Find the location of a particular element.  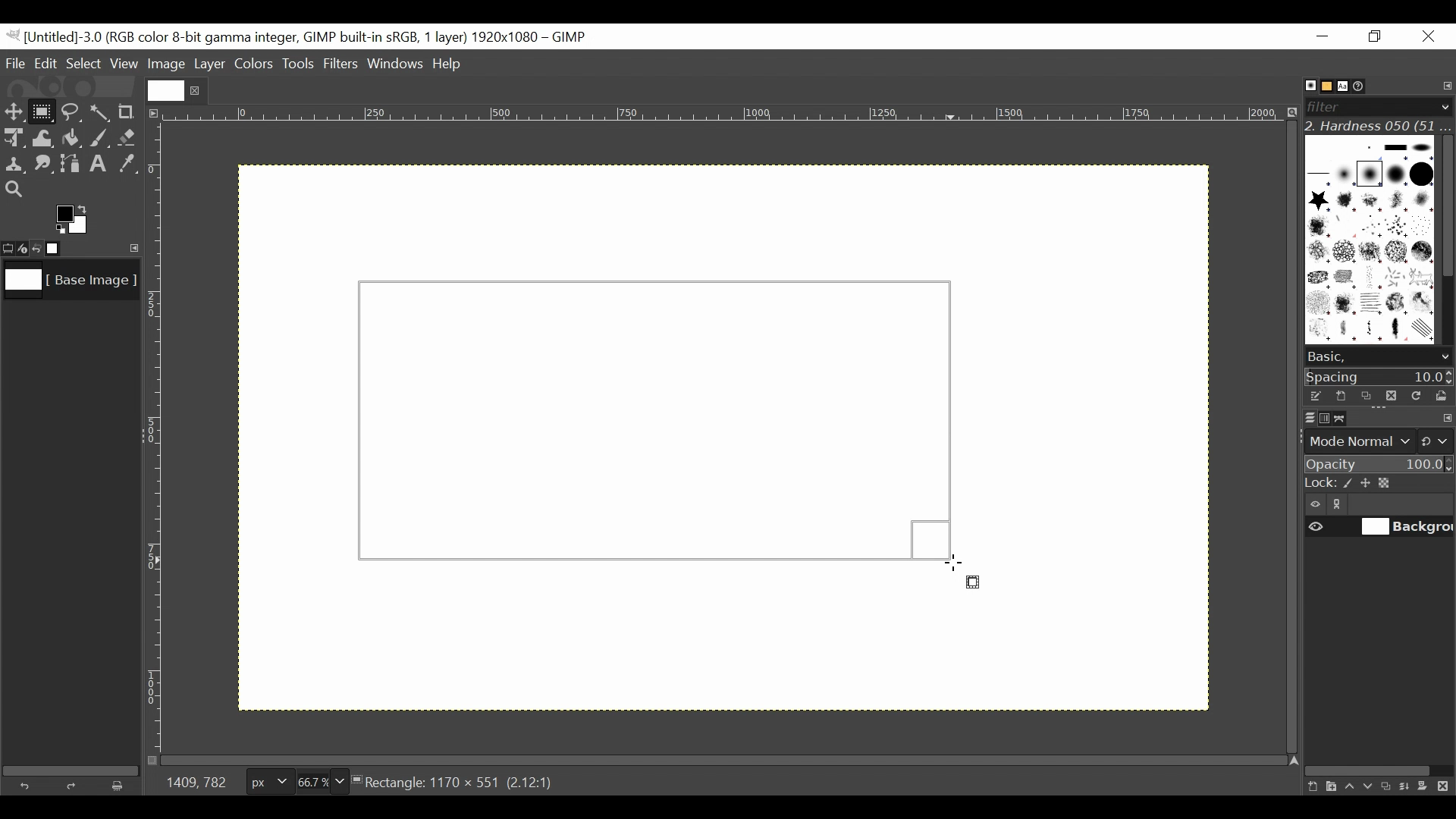

Redo is located at coordinates (74, 786).